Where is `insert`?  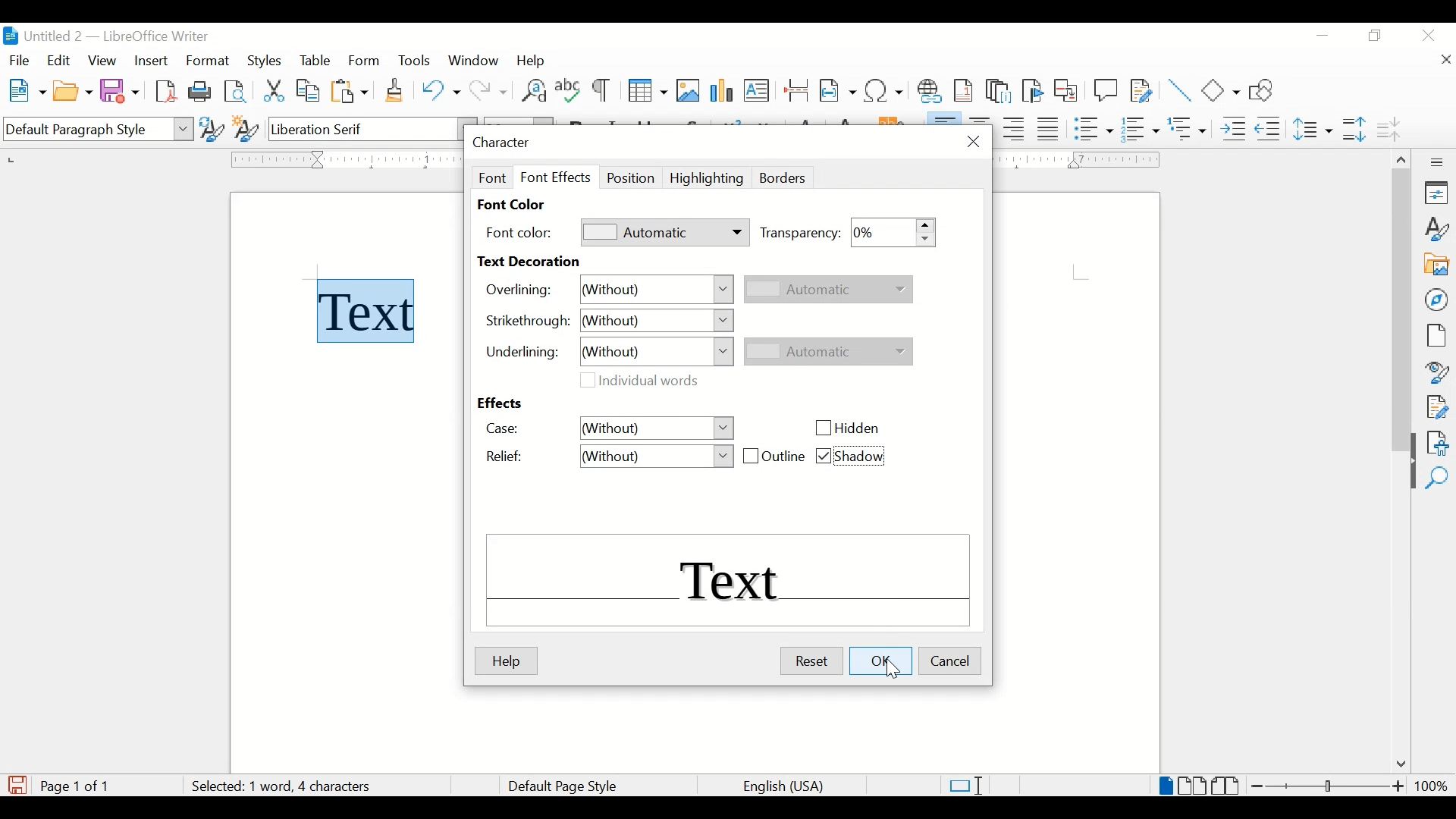 insert is located at coordinates (150, 61).